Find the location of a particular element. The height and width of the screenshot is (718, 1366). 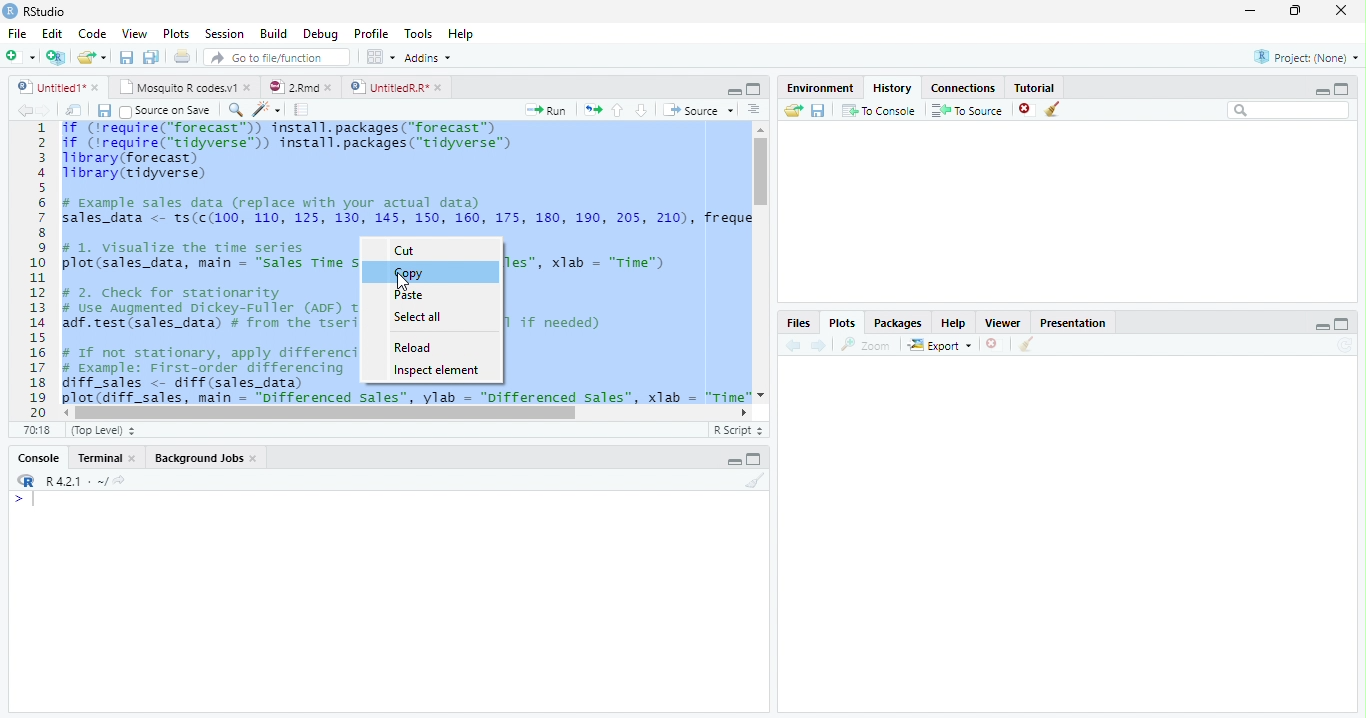

# If not stationary, apply differencing

# Example: First-order differencing

diff_sales <- diff (sales_data)

plot (diff sales. main = "Differenced Sales”. vlab = "Differenced sales”. xlab = "Time" is located at coordinates (405, 394).